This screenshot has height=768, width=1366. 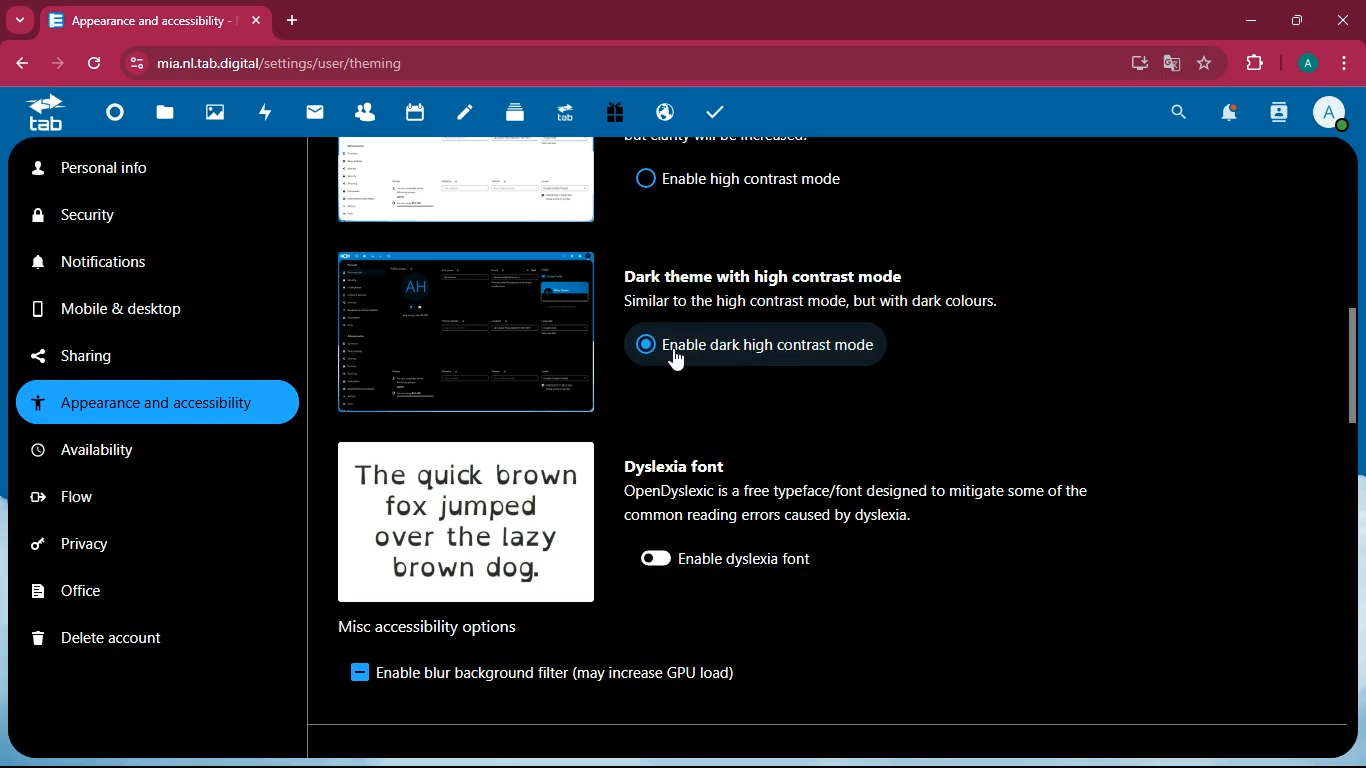 I want to click on profile, so click(x=1305, y=65).